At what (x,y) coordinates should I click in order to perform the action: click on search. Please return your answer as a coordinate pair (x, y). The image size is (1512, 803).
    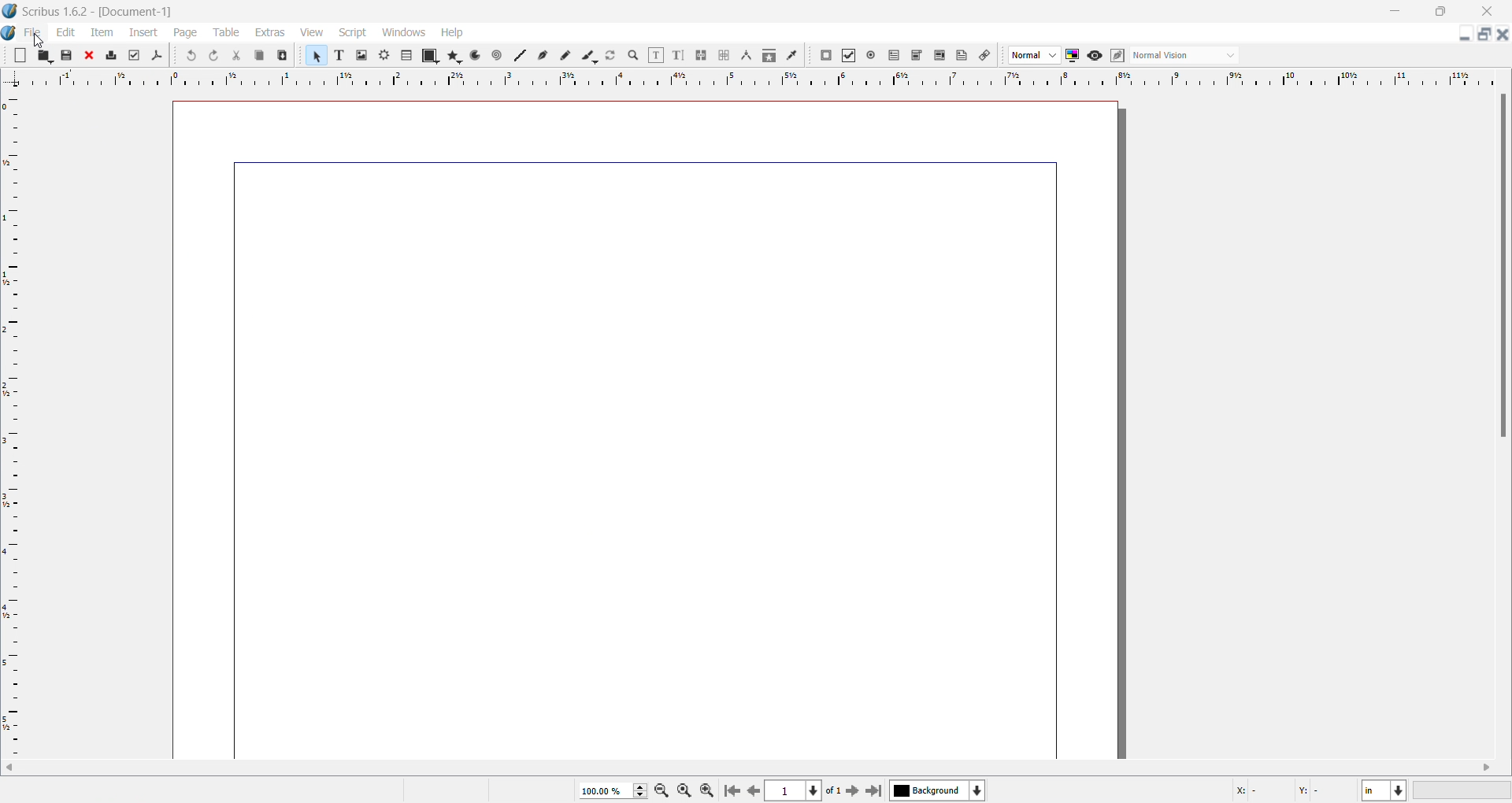
    Looking at the image, I should click on (632, 57).